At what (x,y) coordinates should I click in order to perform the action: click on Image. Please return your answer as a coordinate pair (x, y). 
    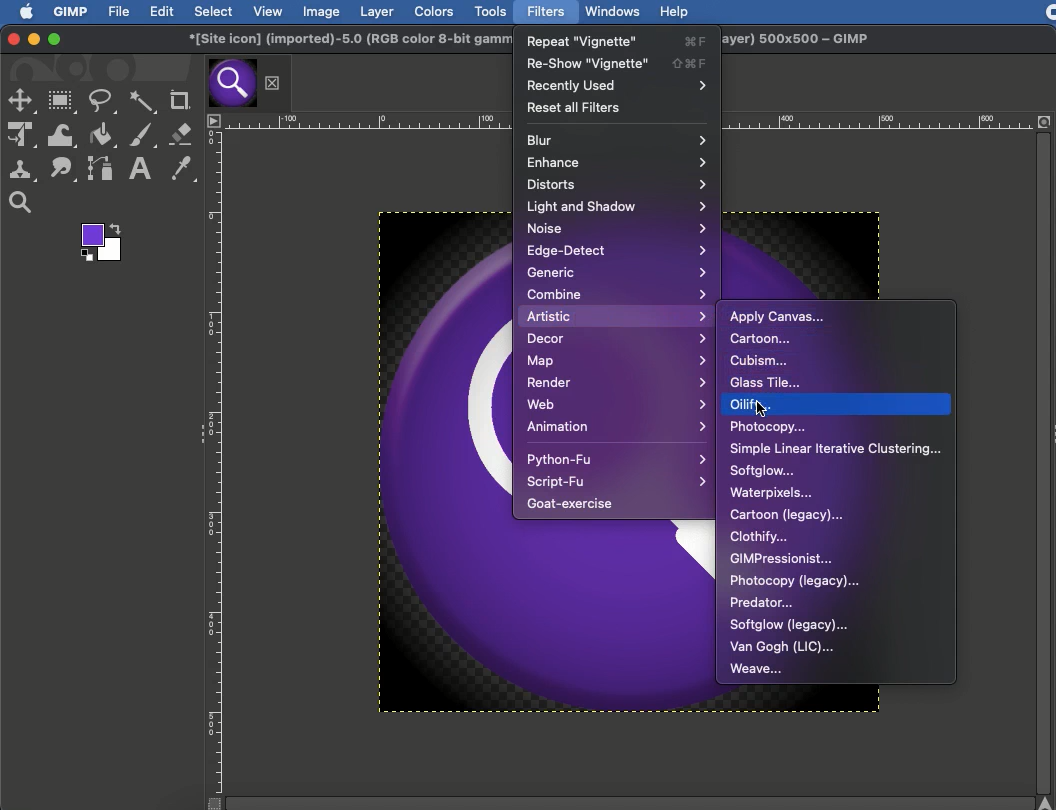
    Looking at the image, I should click on (320, 11).